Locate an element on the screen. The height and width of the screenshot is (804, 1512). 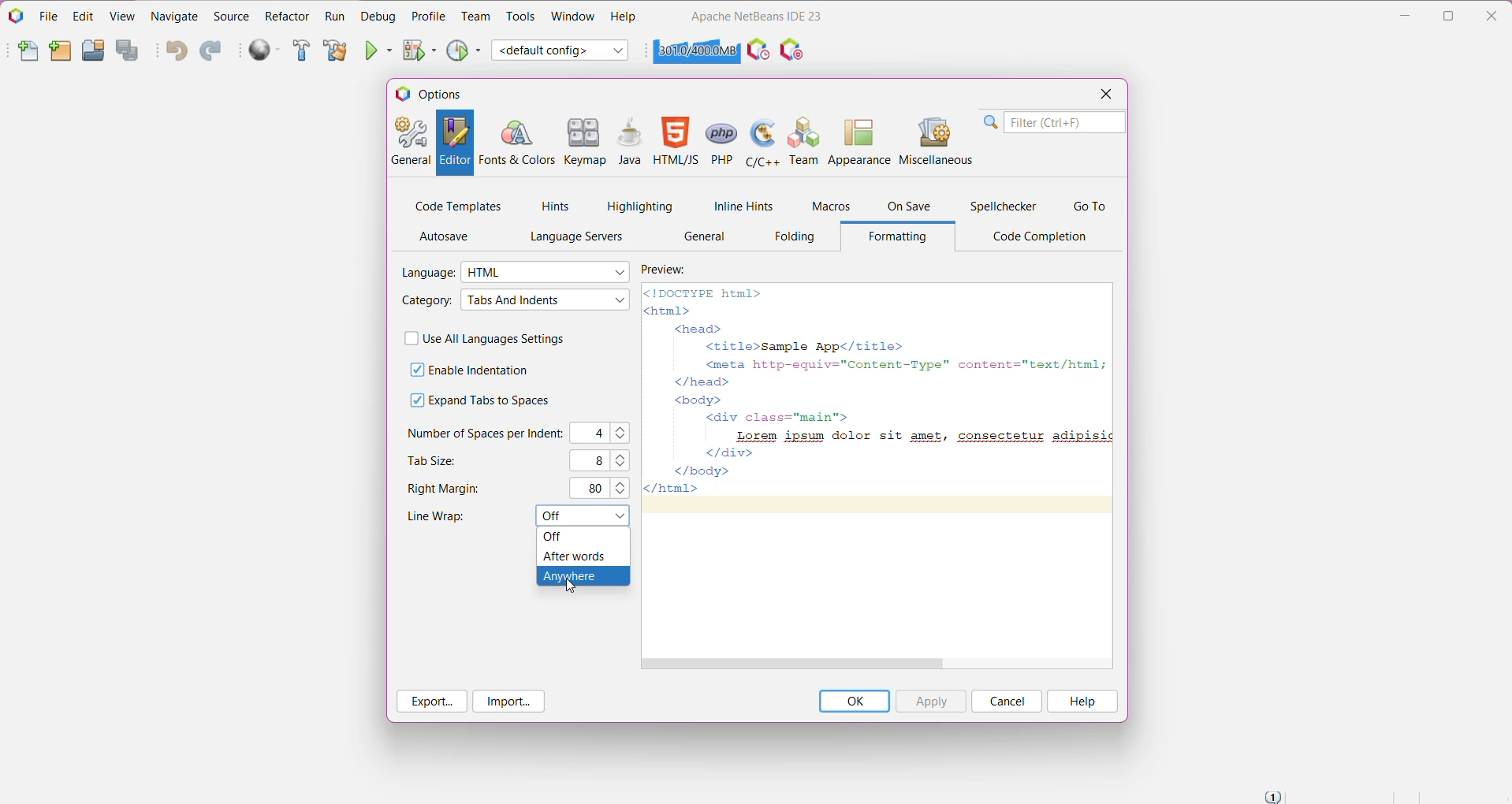
Spellchecker is located at coordinates (1005, 207).